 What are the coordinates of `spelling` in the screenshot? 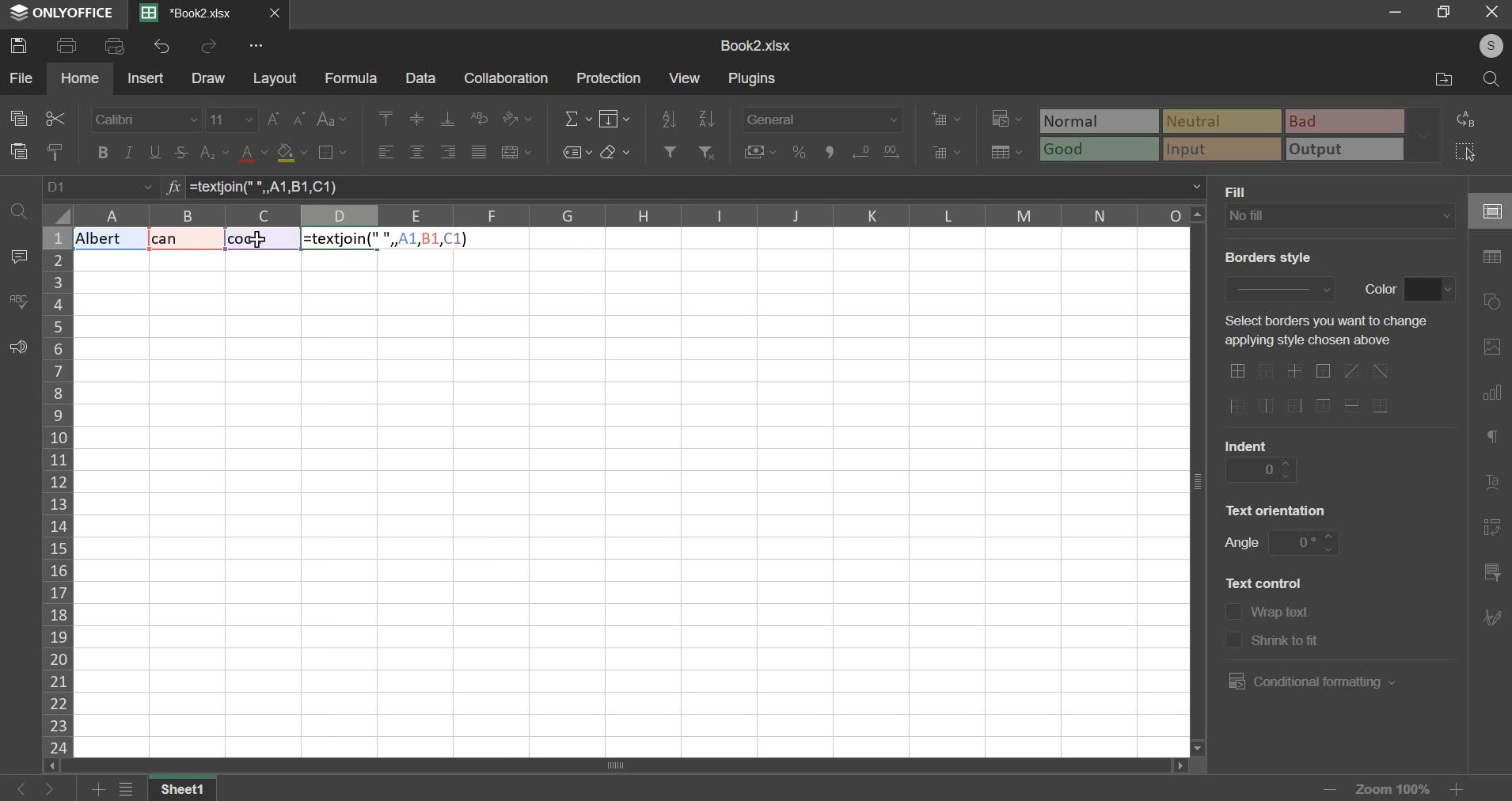 It's located at (18, 301).